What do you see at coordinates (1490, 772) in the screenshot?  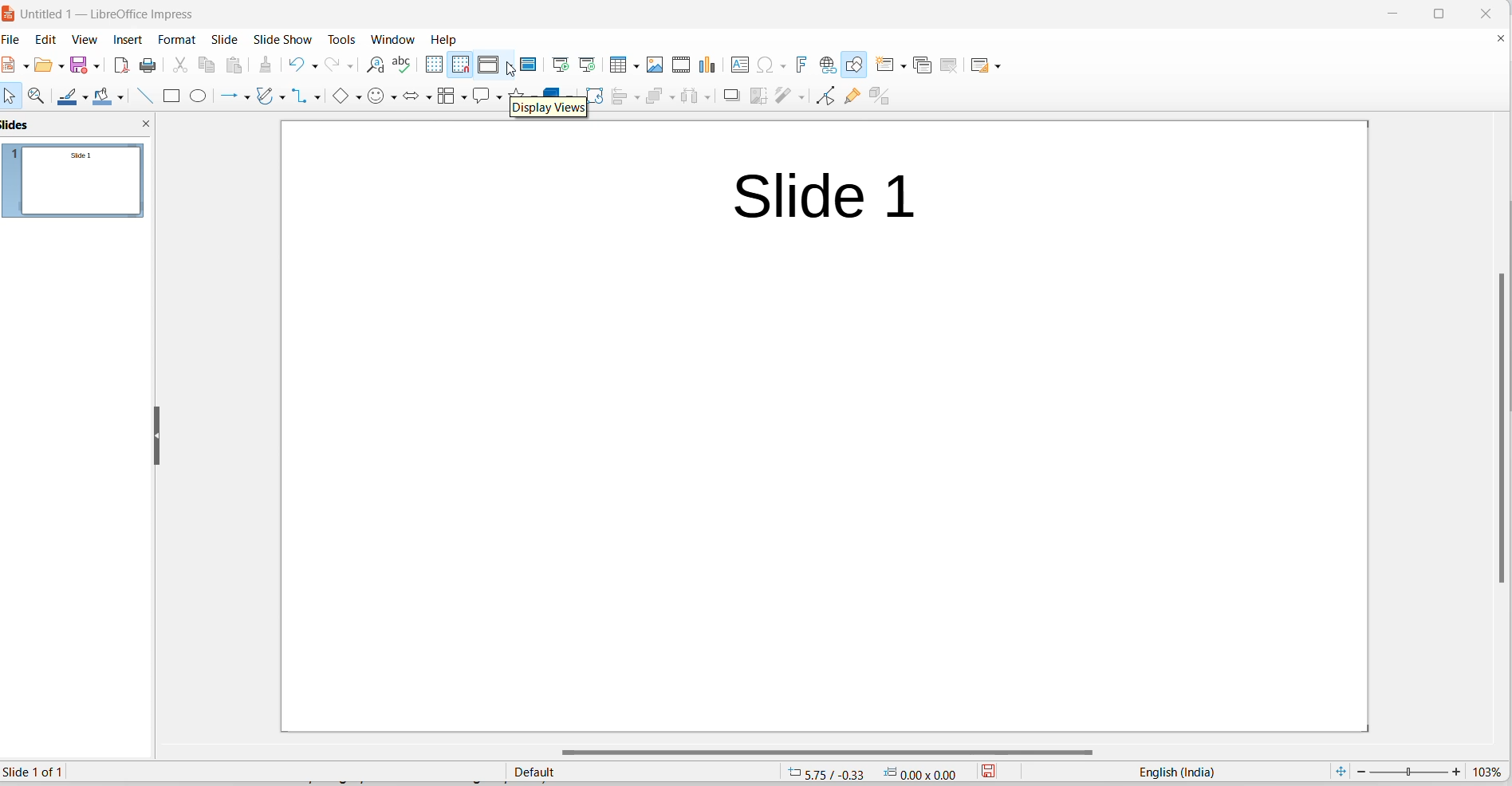 I see `zoom percentage` at bounding box center [1490, 772].